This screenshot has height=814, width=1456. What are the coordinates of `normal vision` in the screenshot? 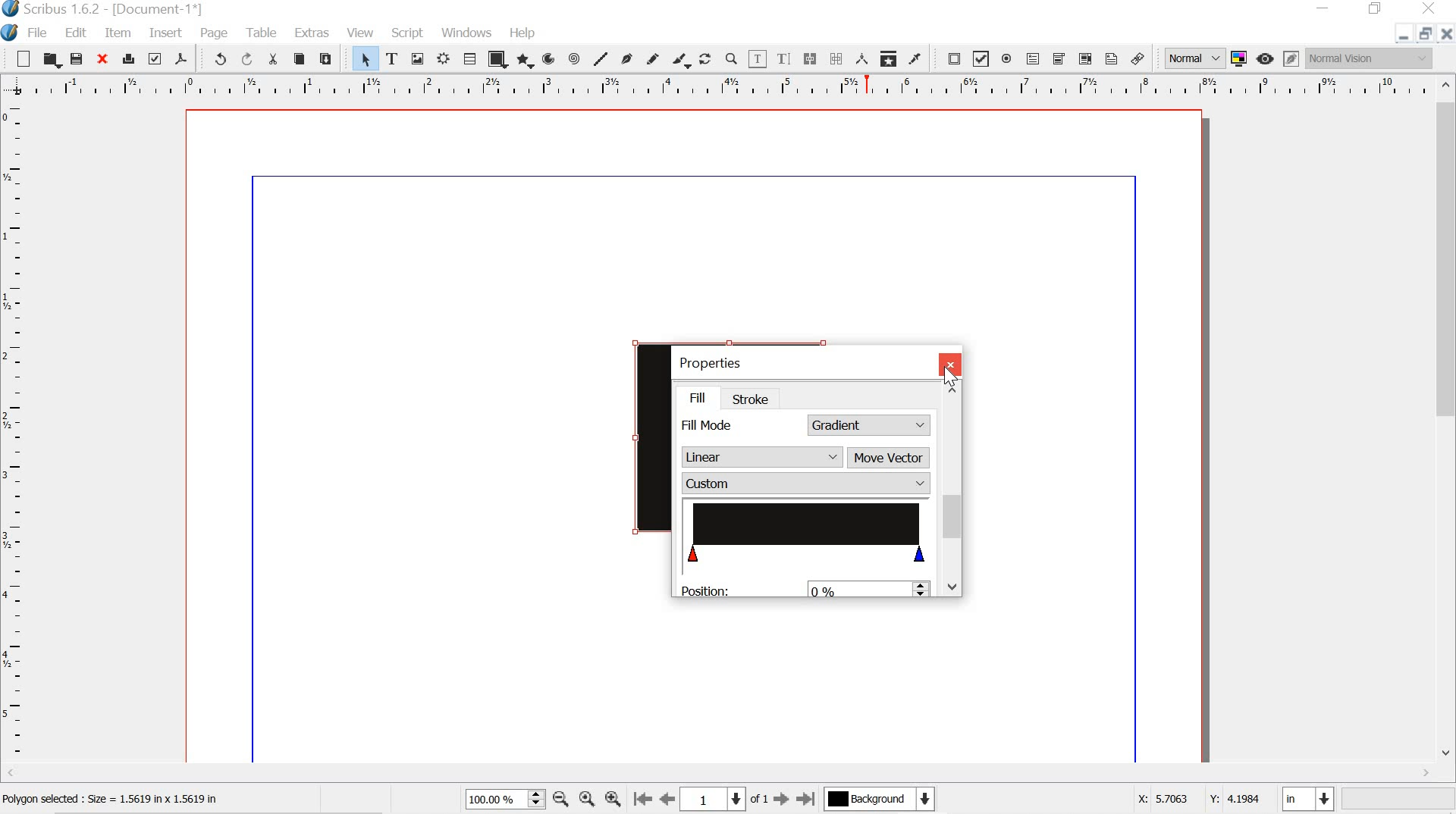 It's located at (1370, 60).